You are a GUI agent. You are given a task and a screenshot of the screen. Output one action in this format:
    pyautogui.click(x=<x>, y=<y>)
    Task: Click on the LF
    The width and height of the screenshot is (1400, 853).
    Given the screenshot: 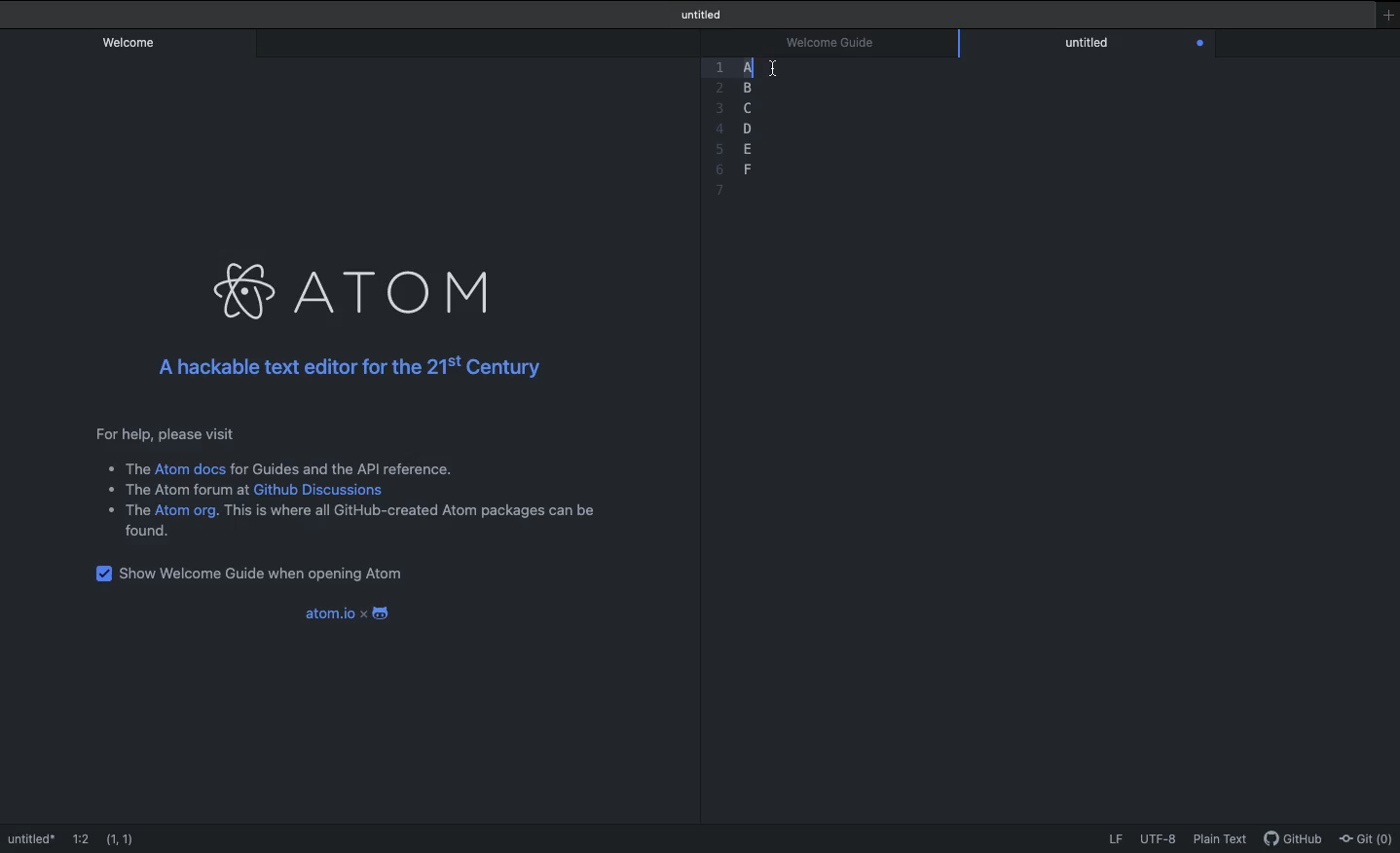 What is the action you would take?
    pyautogui.click(x=1119, y=841)
    